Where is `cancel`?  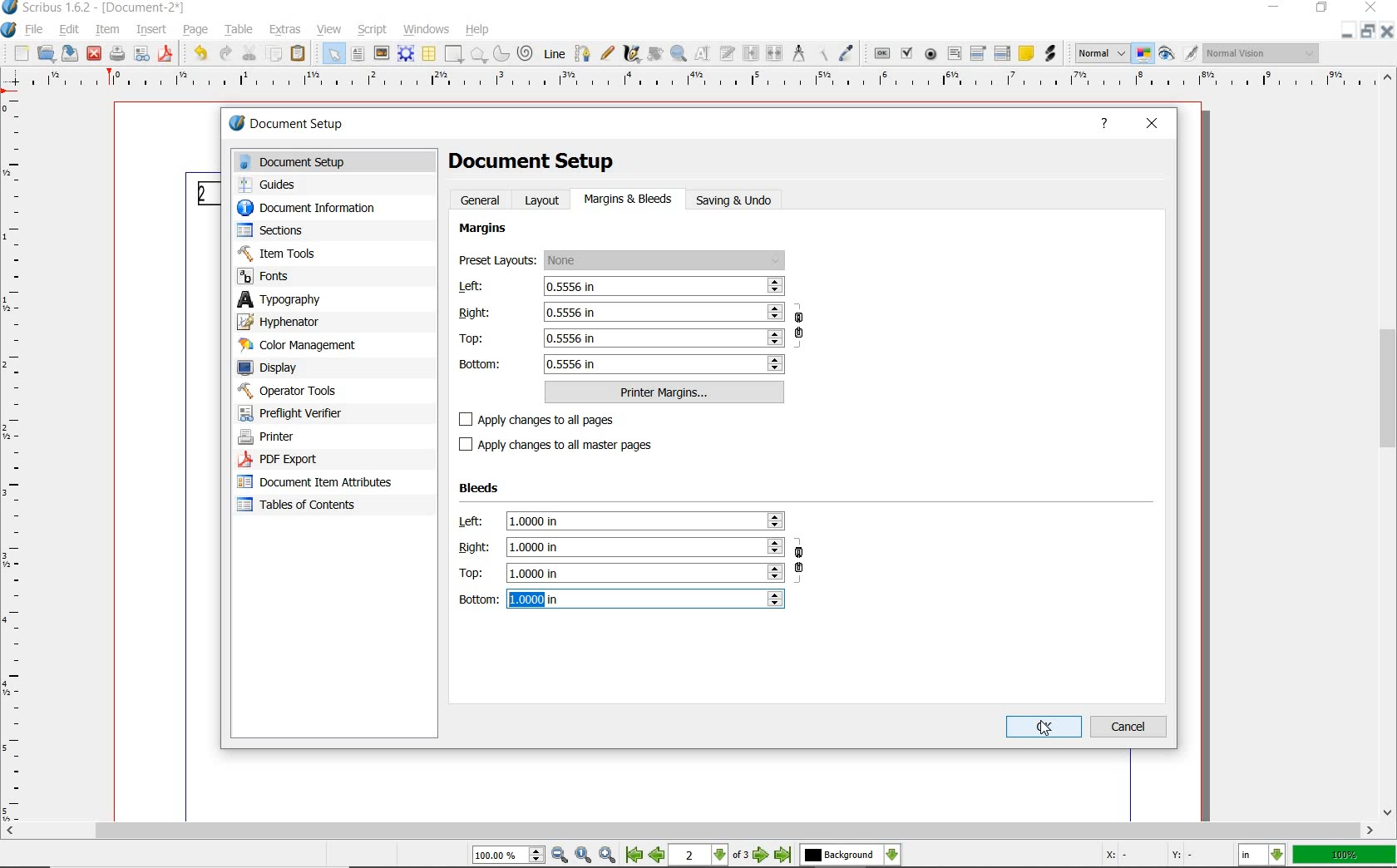
cancel is located at coordinates (1131, 726).